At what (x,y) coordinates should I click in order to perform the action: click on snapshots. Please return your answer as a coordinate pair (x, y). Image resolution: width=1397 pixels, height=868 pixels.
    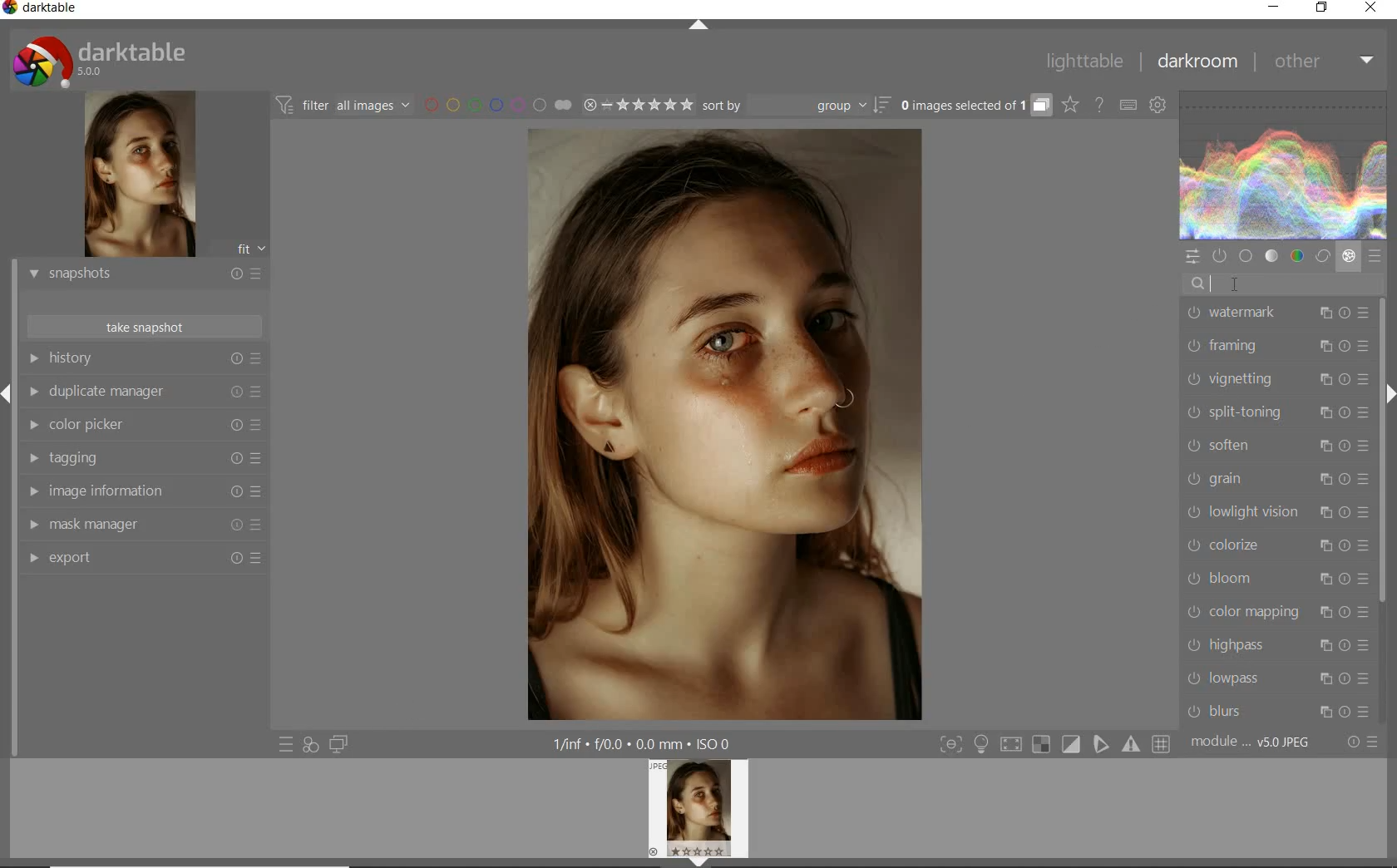
    Looking at the image, I should click on (144, 275).